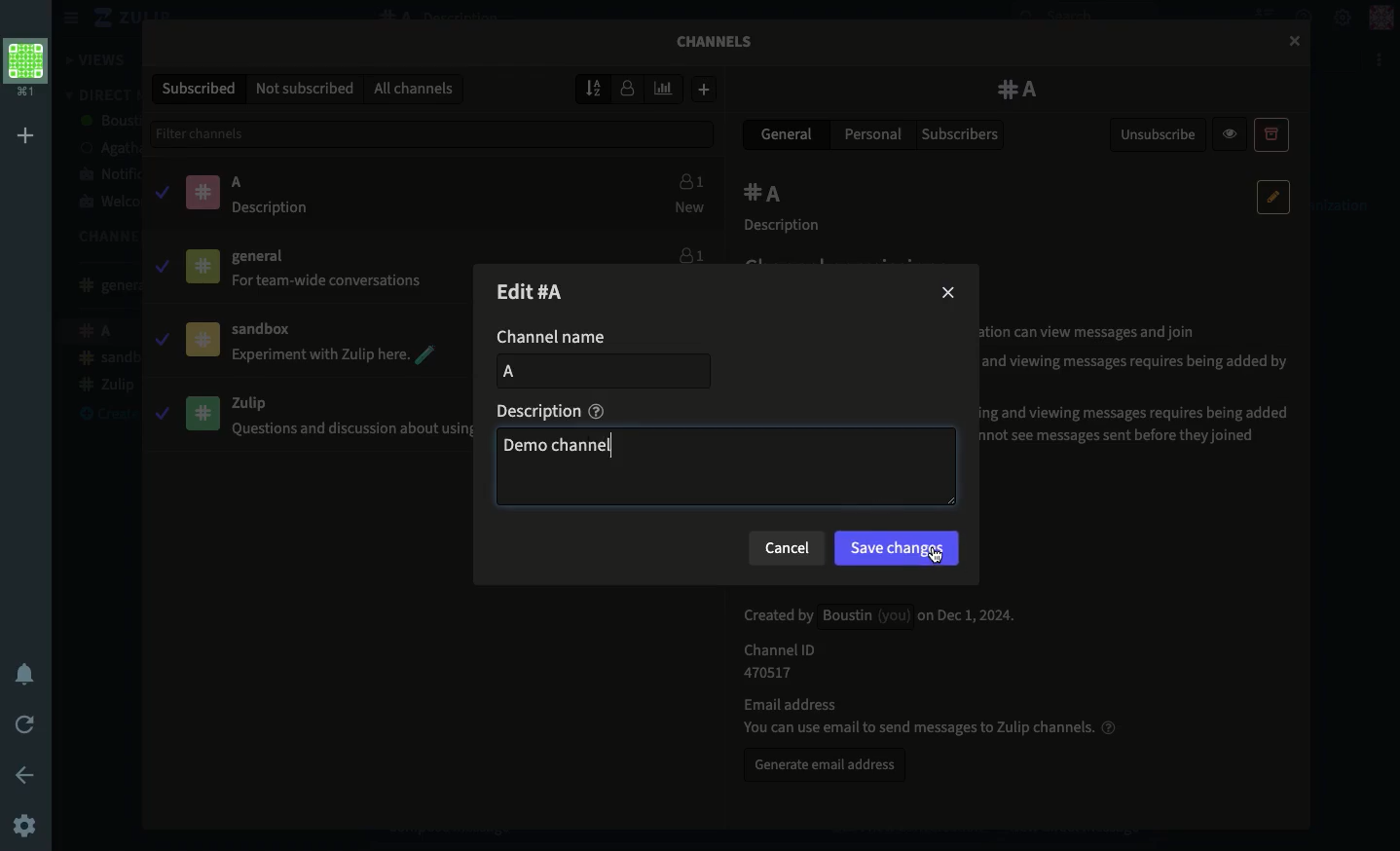 This screenshot has width=1400, height=851. Describe the element at coordinates (99, 94) in the screenshot. I see `DM` at that location.